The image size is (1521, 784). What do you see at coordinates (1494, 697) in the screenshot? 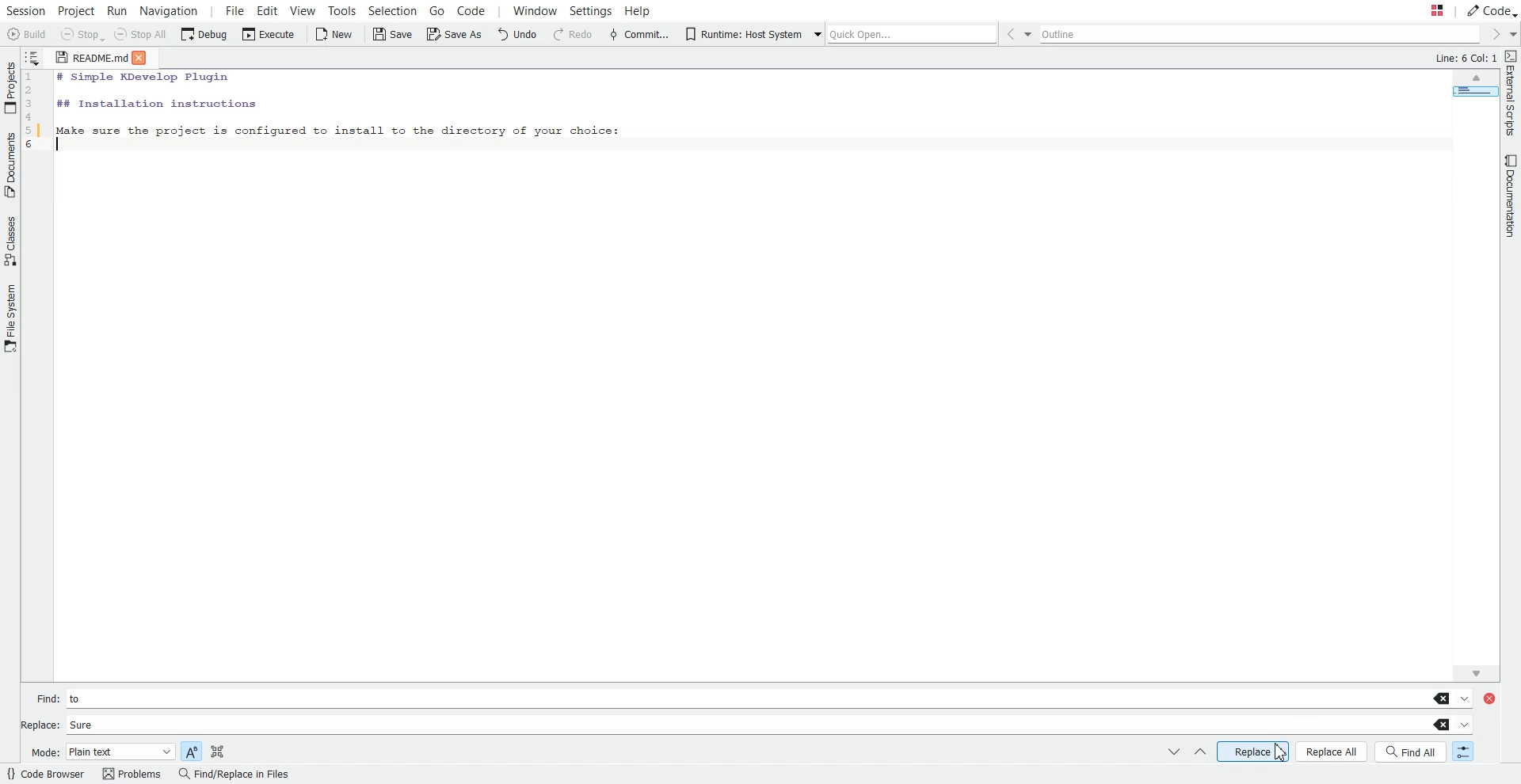
I see `Close Window` at bounding box center [1494, 697].